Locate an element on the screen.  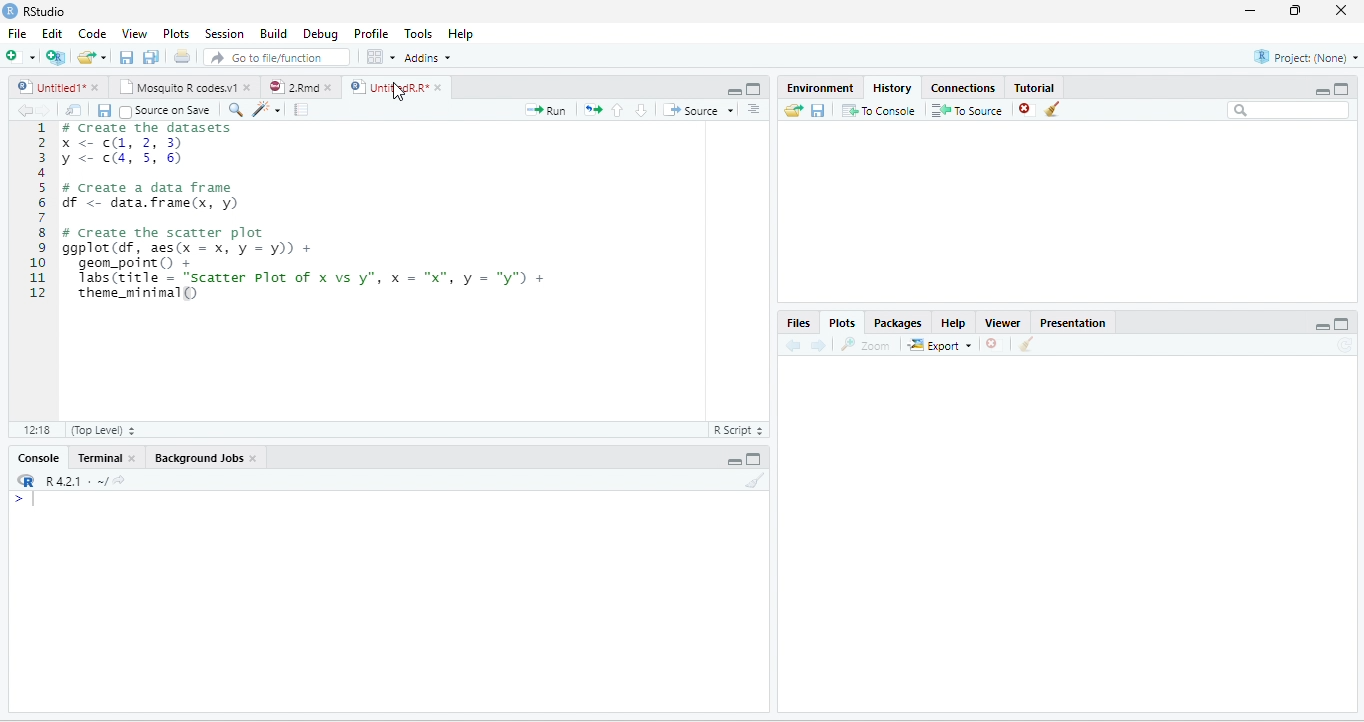
Clear console is located at coordinates (756, 480).